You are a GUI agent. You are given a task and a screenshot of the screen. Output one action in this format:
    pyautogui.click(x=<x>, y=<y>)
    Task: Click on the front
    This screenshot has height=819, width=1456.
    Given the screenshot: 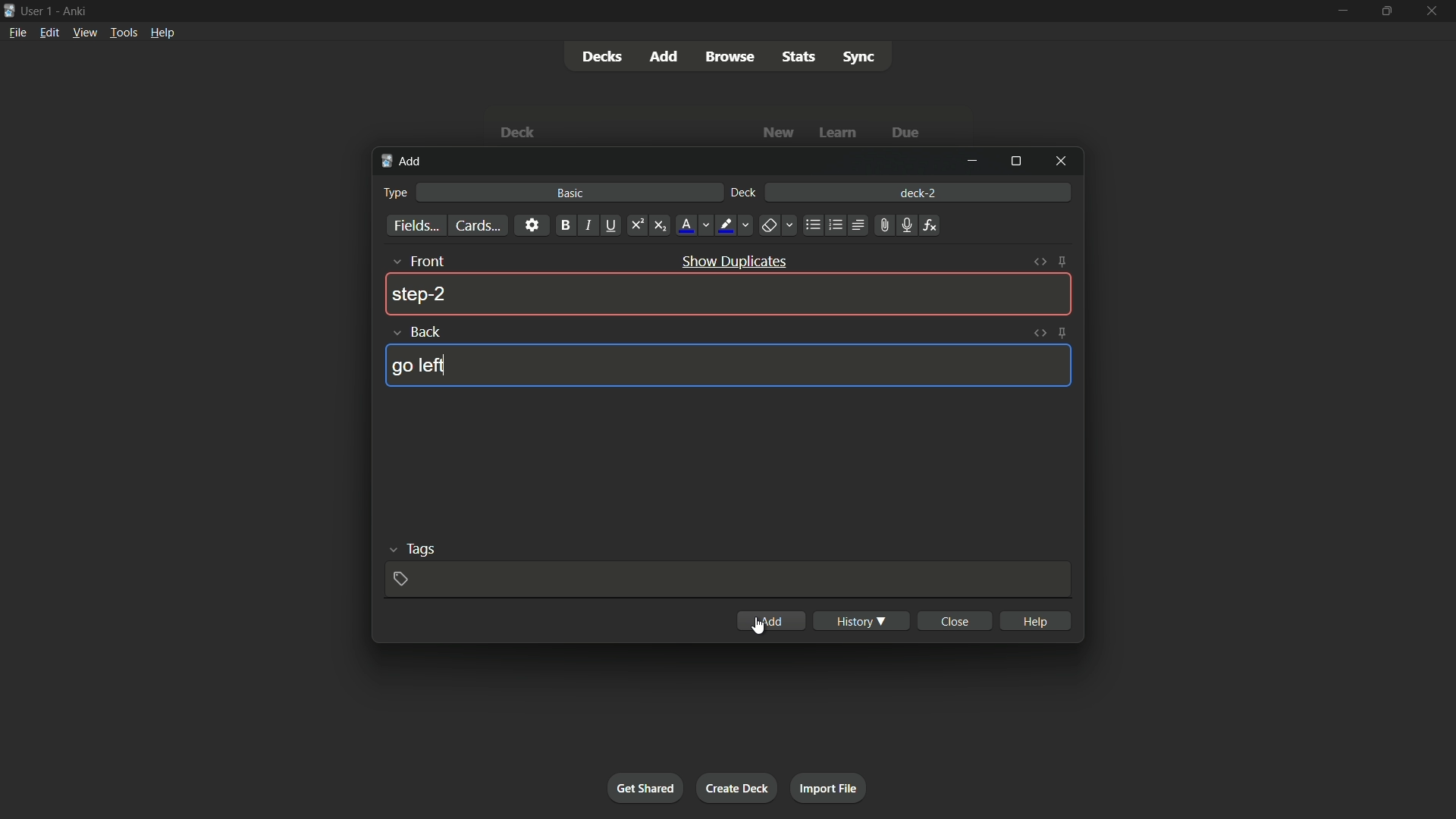 What is the action you would take?
    pyautogui.click(x=417, y=262)
    